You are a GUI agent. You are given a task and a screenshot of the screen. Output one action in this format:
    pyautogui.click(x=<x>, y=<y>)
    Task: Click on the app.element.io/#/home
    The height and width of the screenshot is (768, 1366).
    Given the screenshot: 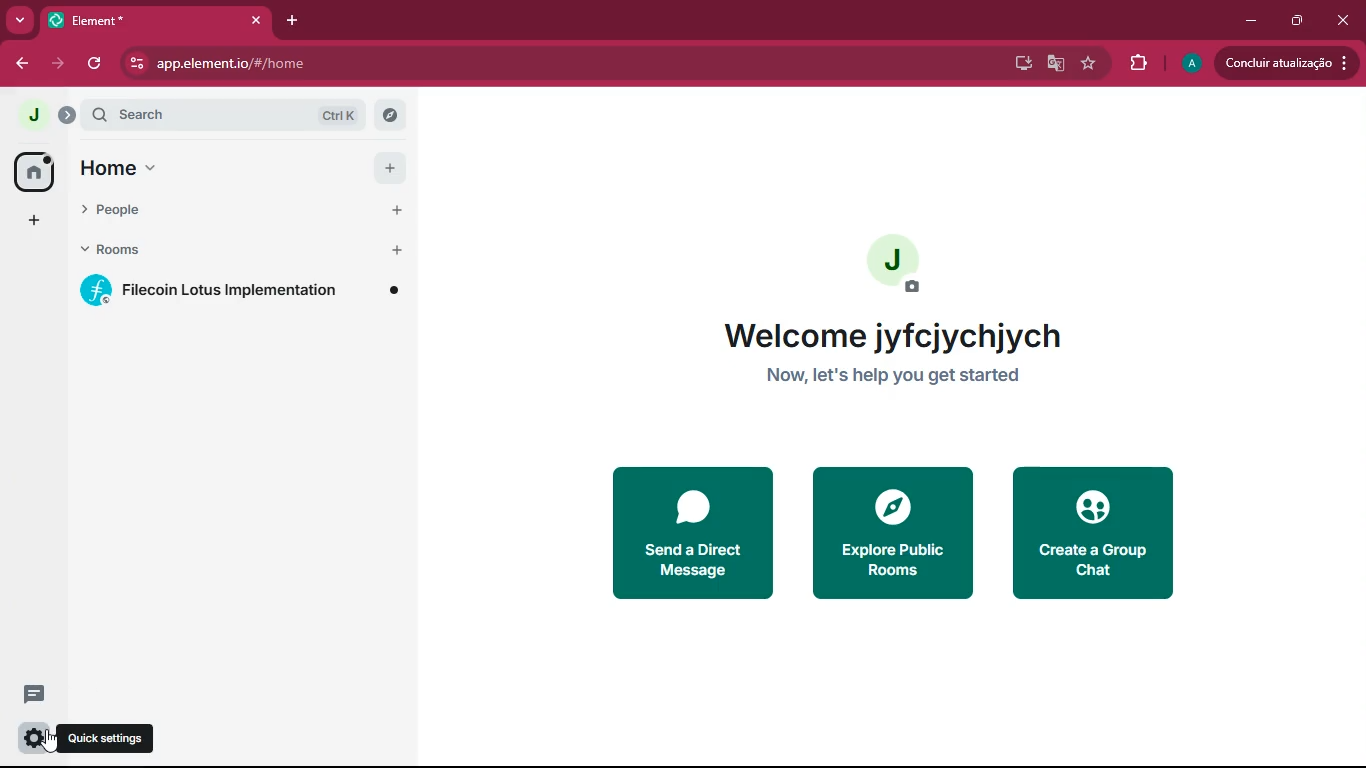 What is the action you would take?
    pyautogui.click(x=318, y=63)
    